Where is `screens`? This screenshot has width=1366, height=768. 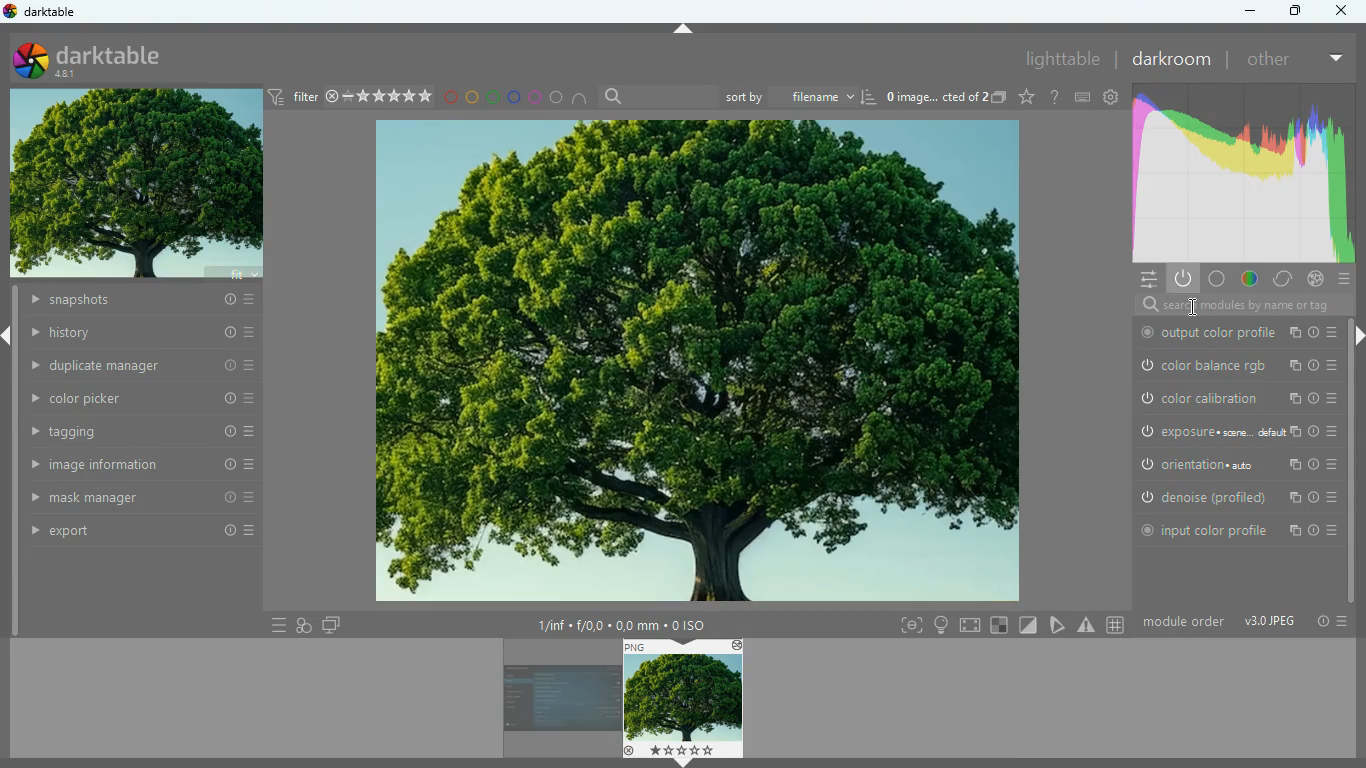 screens is located at coordinates (331, 624).